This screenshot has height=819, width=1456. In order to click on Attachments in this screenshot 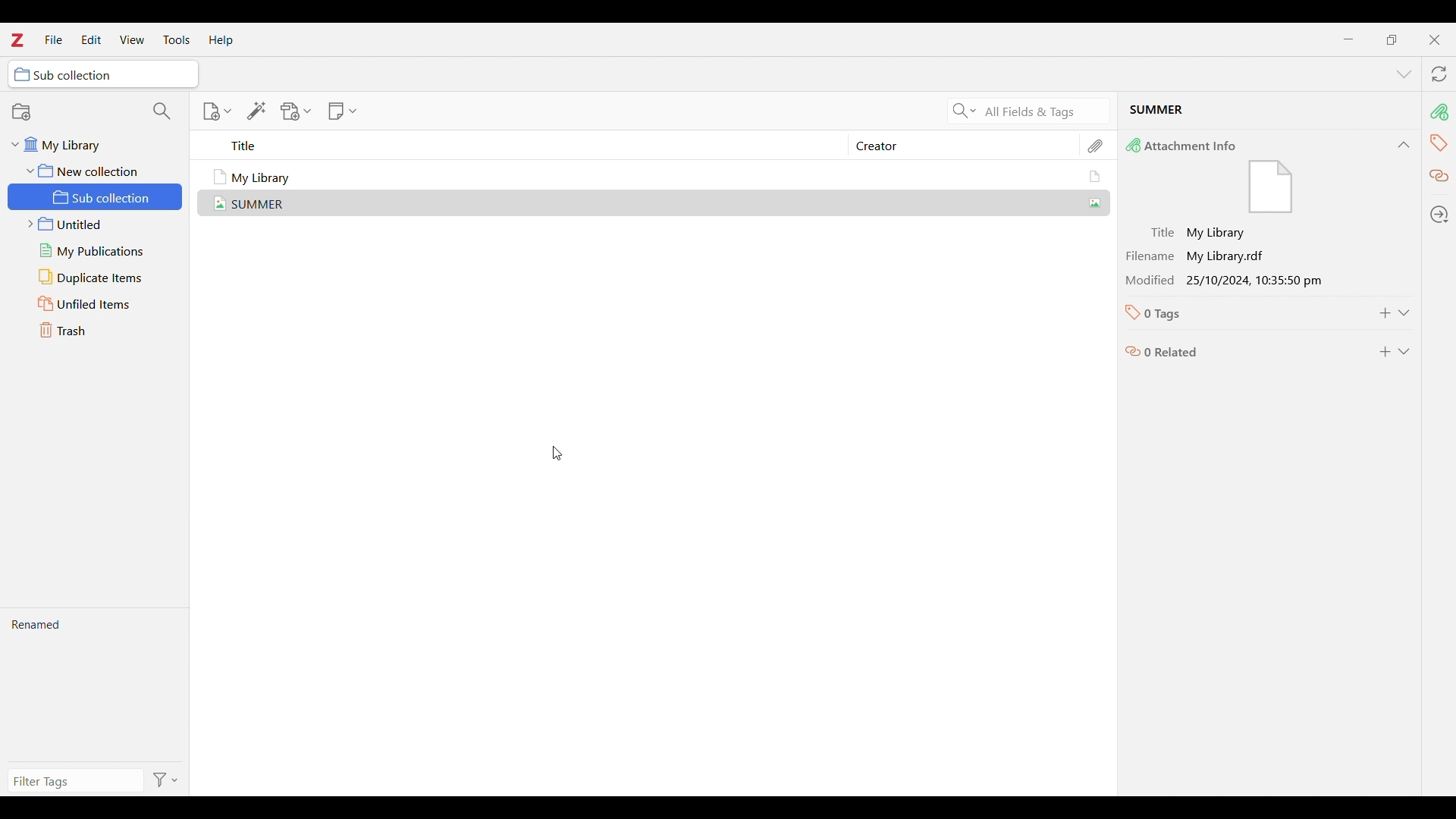, I will do `click(1097, 146)`.